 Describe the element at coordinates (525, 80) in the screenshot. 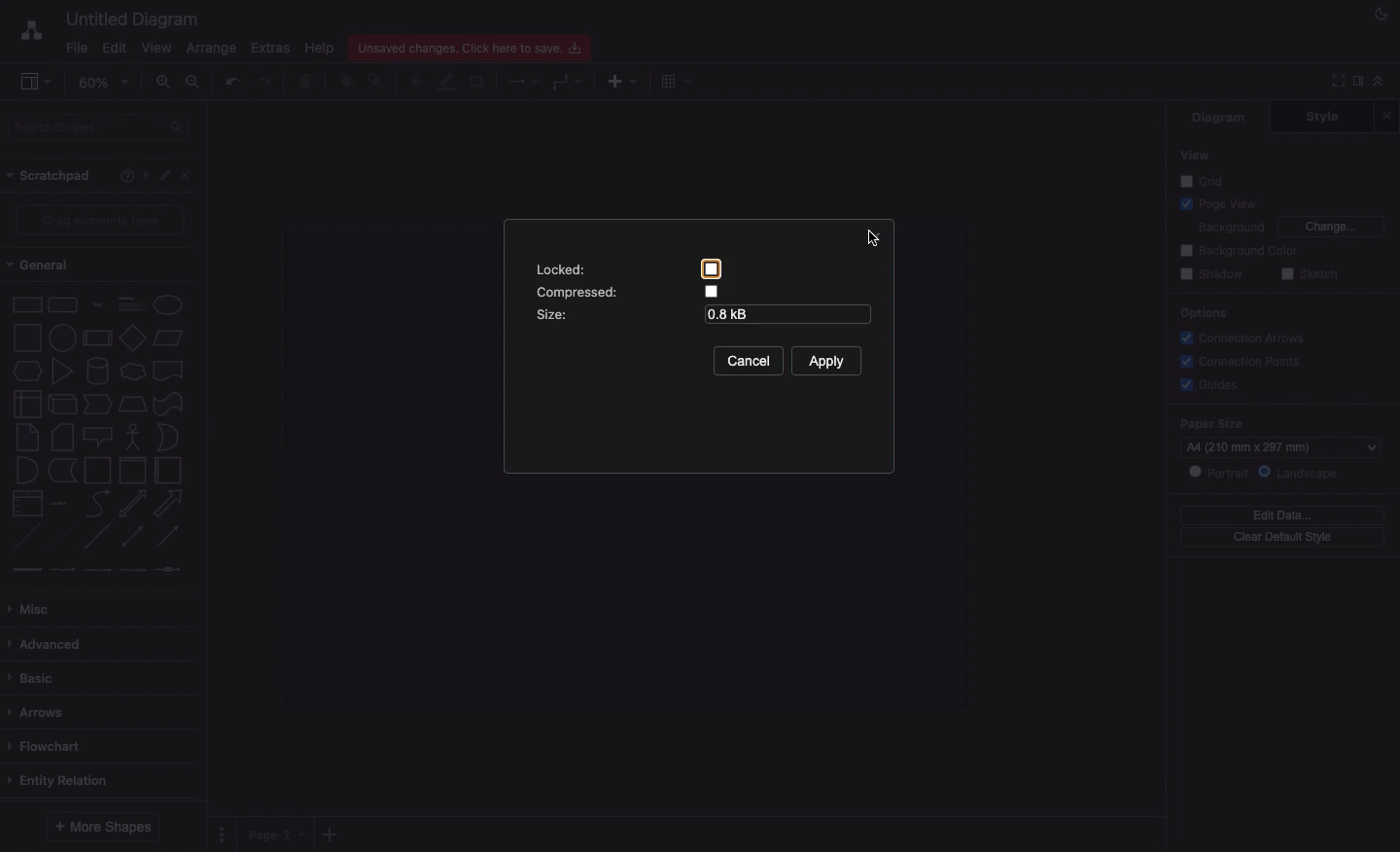

I see `Arrows` at that location.